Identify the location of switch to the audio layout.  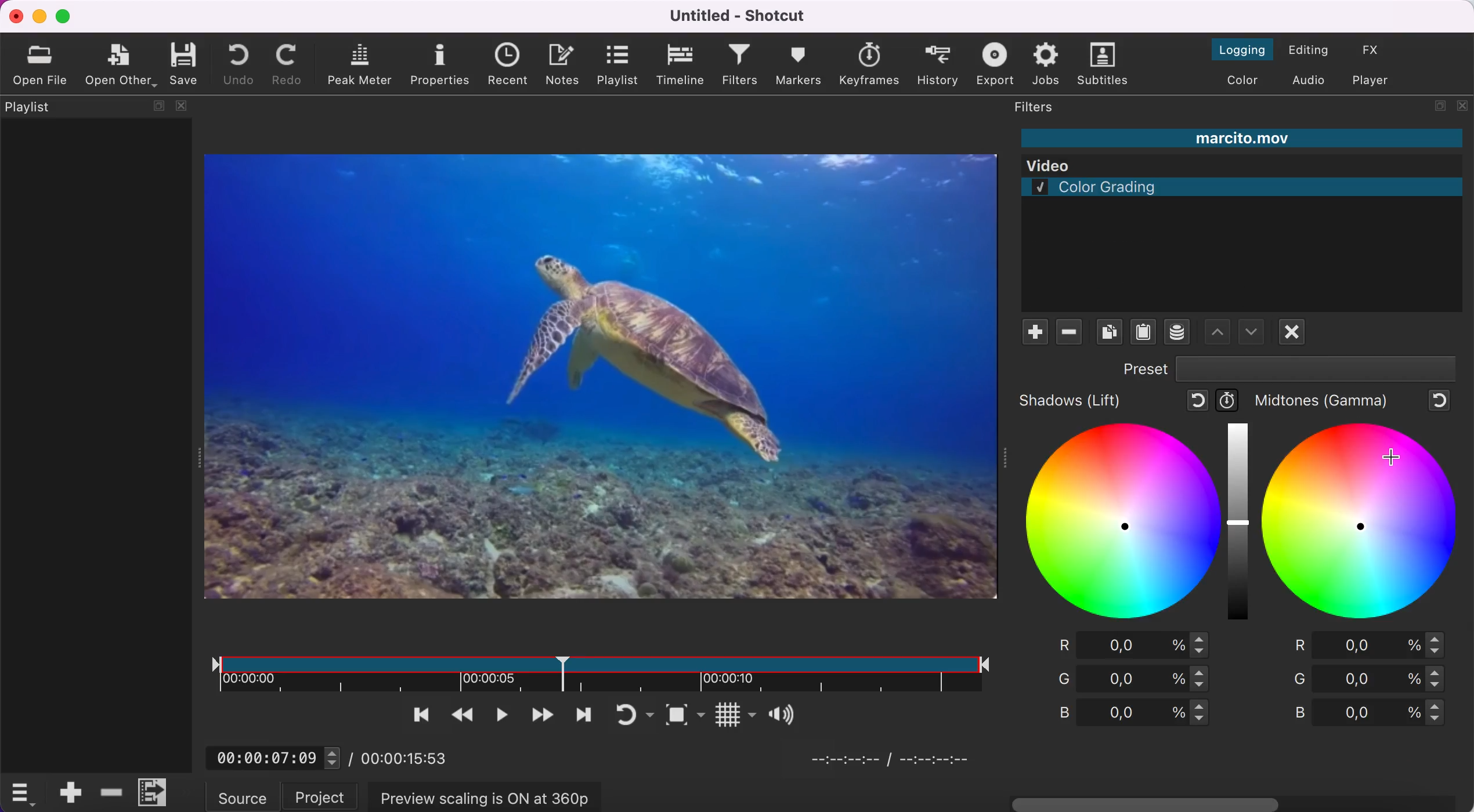
(1309, 80).